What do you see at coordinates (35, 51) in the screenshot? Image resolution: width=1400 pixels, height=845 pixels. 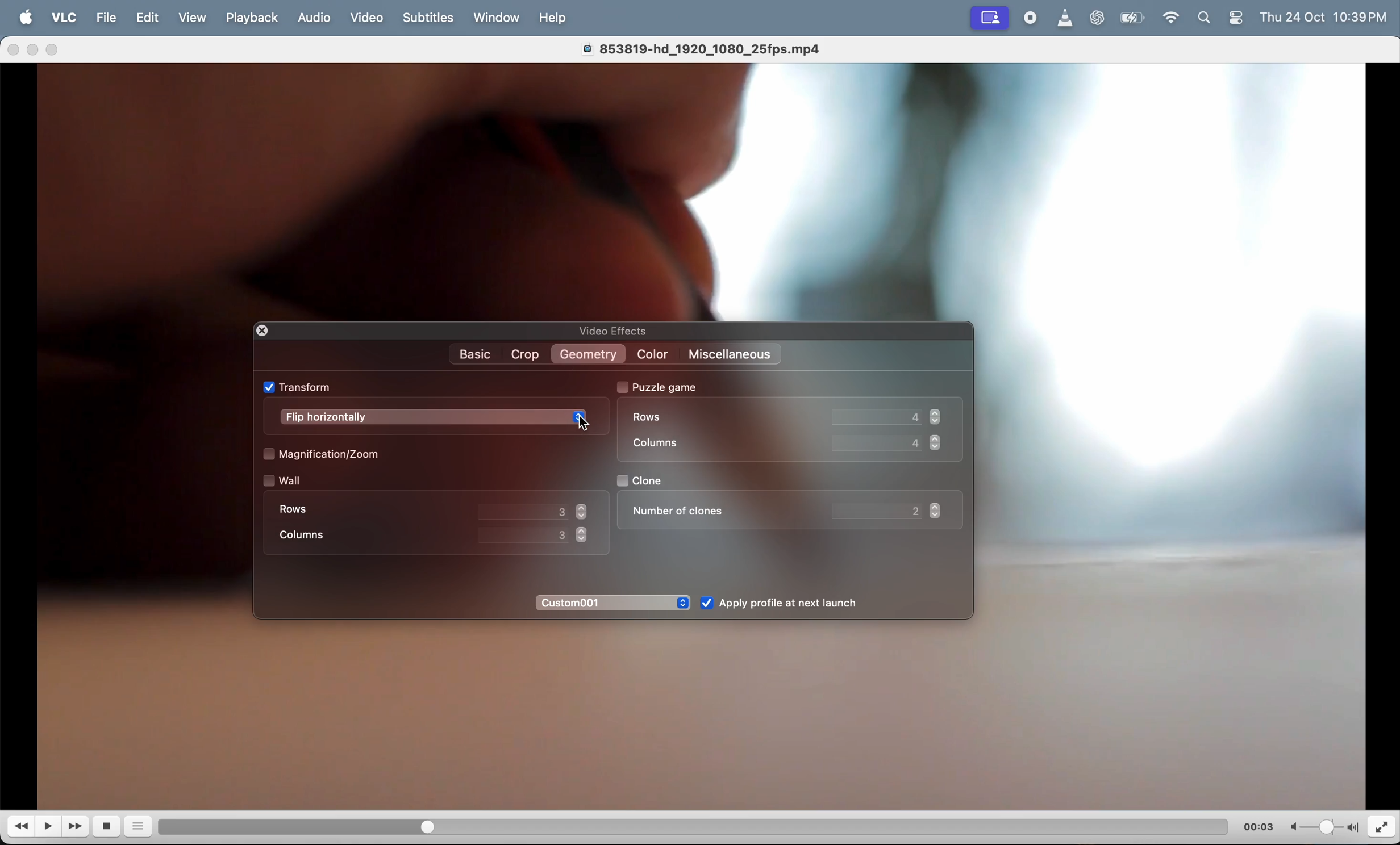 I see `minimize` at bounding box center [35, 51].